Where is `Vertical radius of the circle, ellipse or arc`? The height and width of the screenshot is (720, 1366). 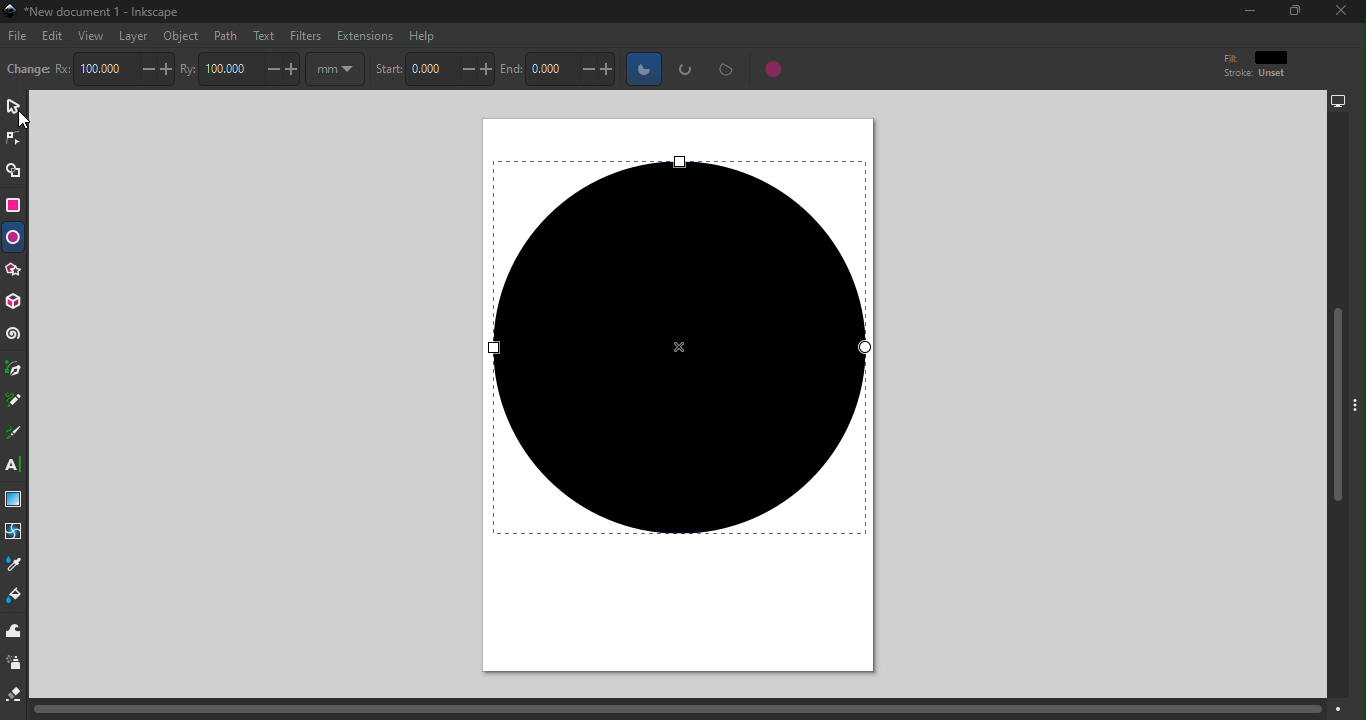 Vertical radius of the circle, ellipse or arc is located at coordinates (249, 69).